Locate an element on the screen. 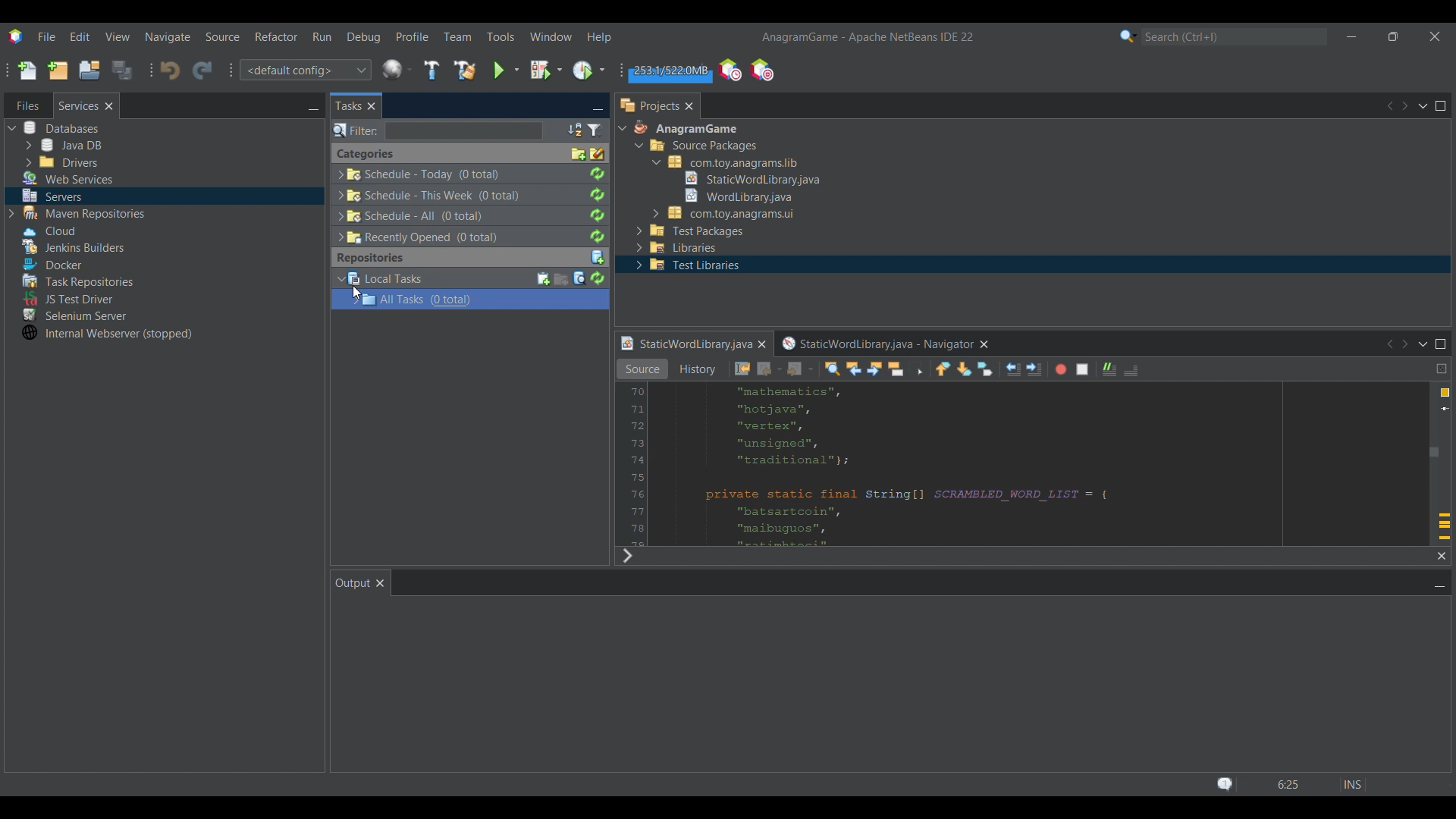   is located at coordinates (71, 248).